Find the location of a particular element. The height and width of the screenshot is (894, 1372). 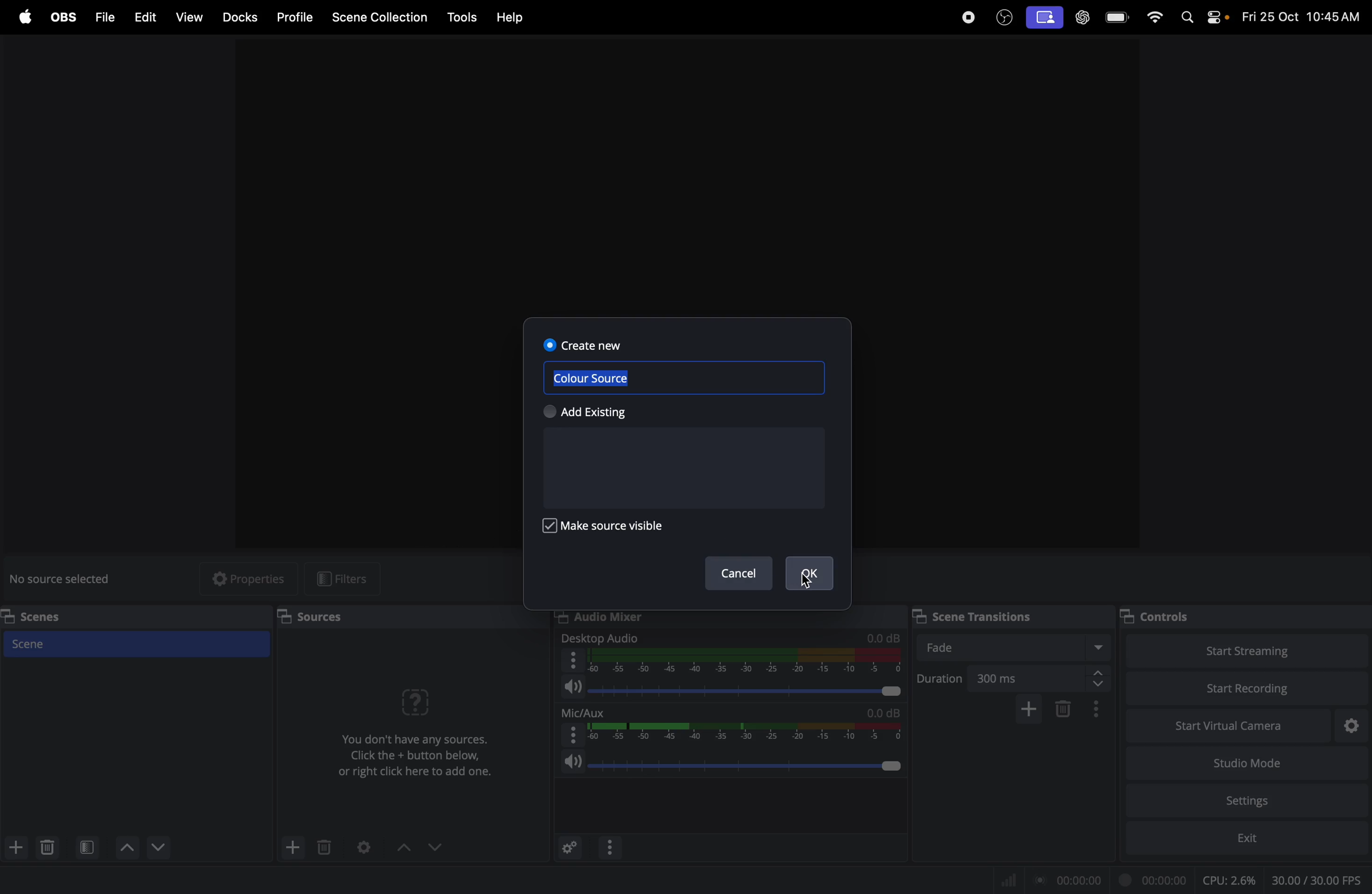

exit is located at coordinates (1238, 839).